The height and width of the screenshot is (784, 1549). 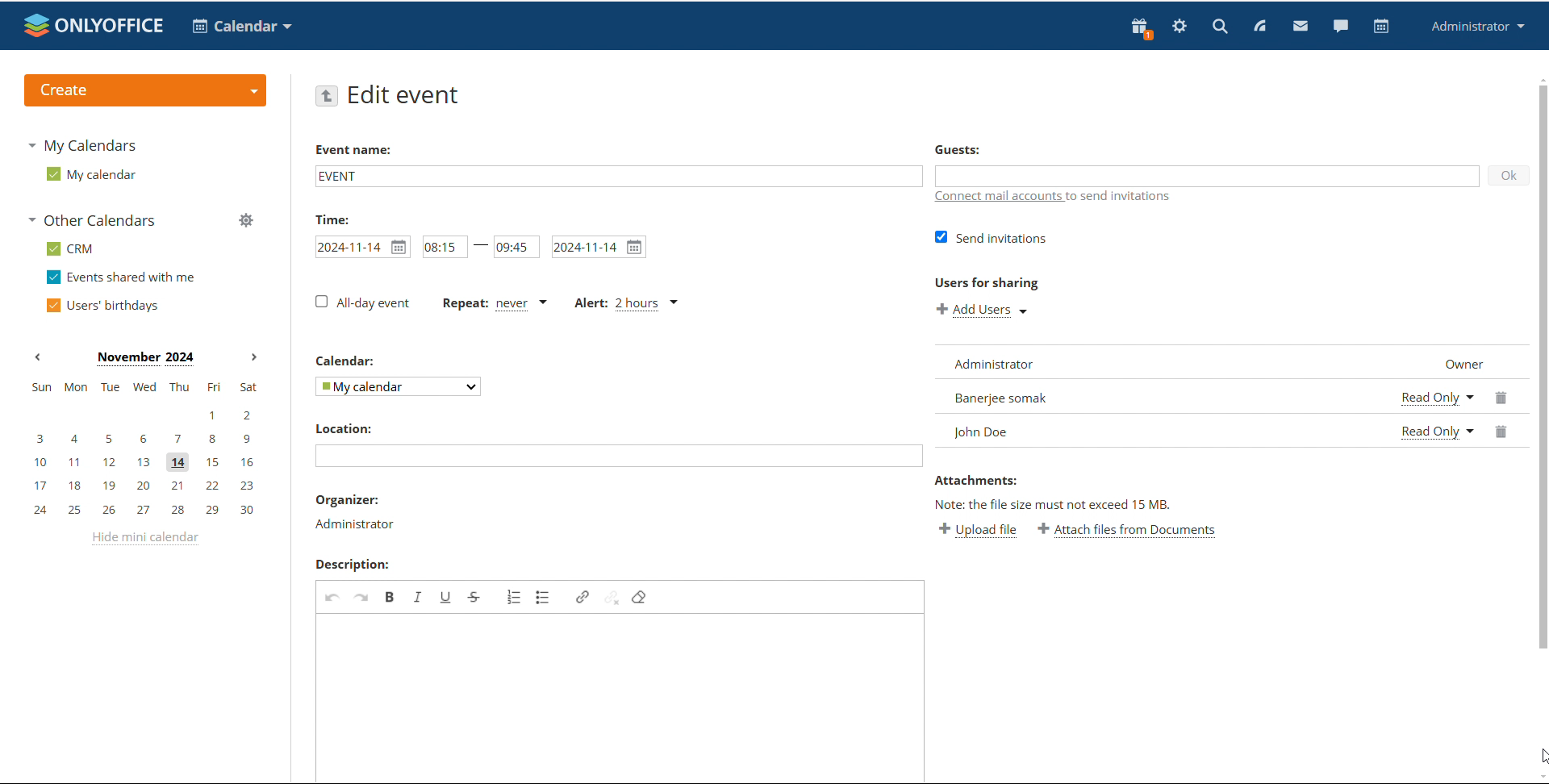 I want to click on event repetition, so click(x=491, y=303).